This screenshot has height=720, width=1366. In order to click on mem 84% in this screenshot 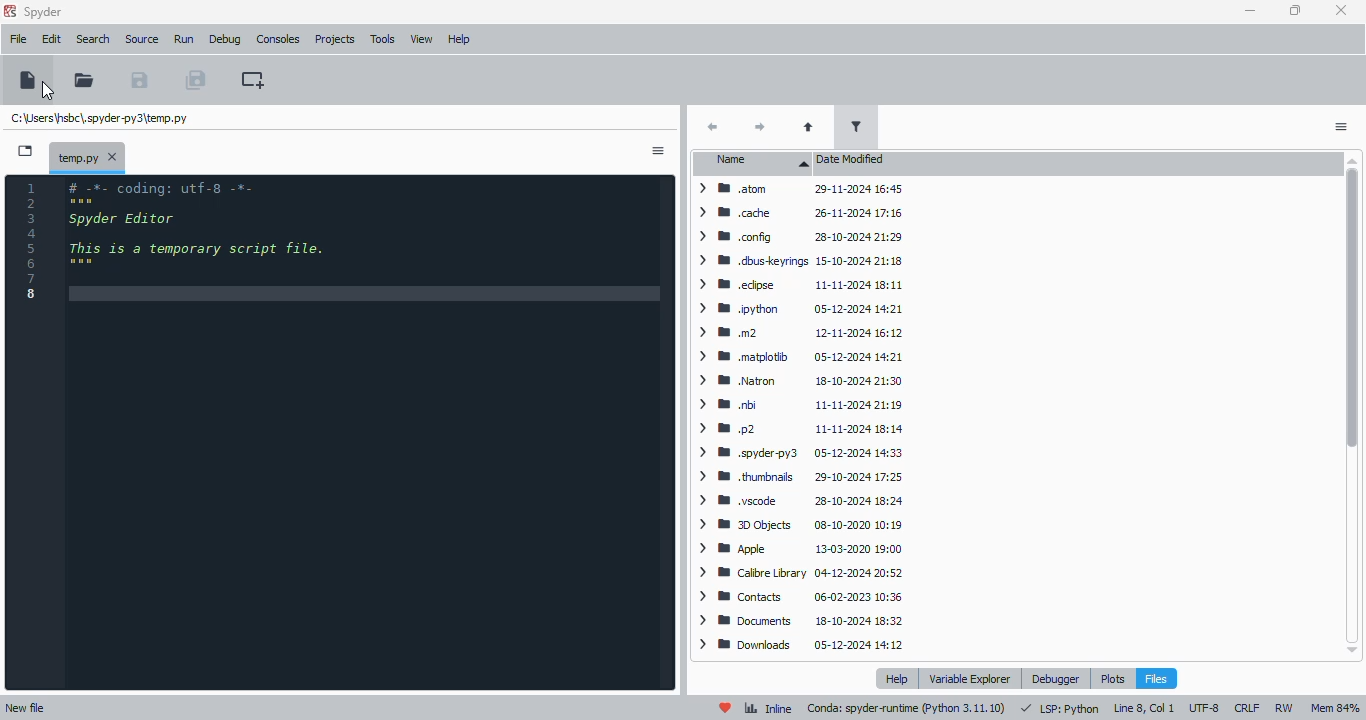, I will do `click(1334, 708)`.